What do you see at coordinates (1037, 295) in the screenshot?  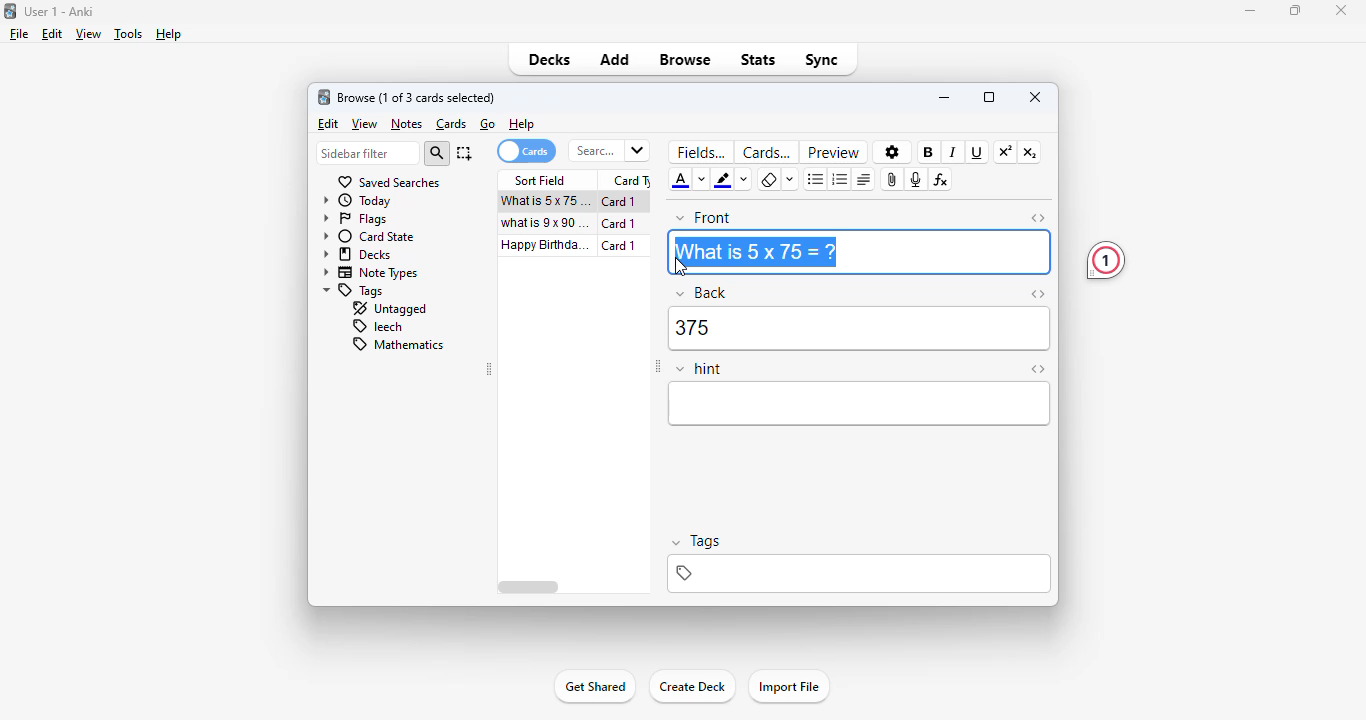 I see `toggle HTML editor` at bounding box center [1037, 295].